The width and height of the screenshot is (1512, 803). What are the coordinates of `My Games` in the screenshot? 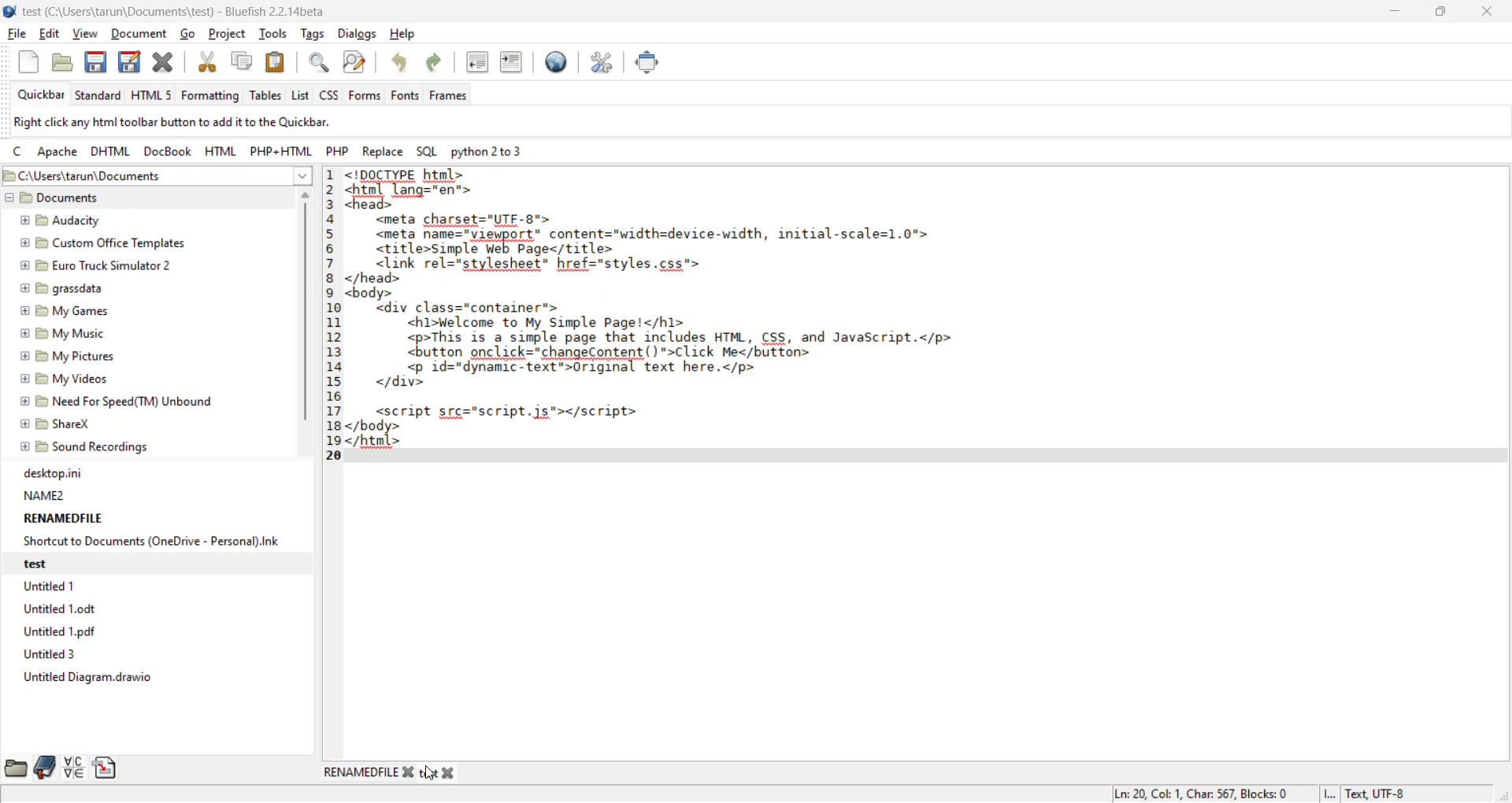 It's located at (65, 311).